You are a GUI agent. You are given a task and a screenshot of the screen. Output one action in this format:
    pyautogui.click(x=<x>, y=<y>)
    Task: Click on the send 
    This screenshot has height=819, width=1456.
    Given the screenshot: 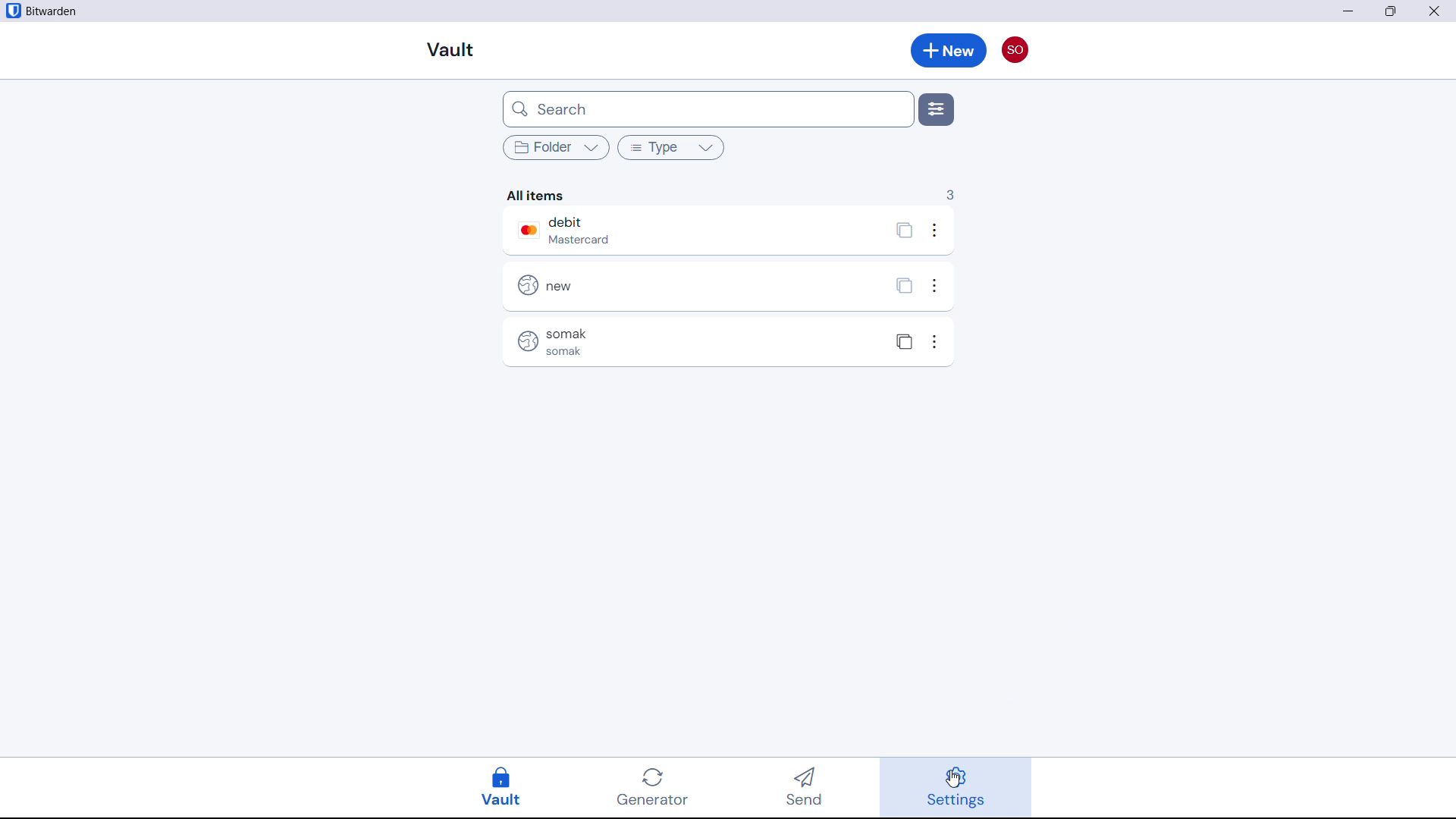 What is the action you would take?
    pyautogui.click(x=810, y=789)
    